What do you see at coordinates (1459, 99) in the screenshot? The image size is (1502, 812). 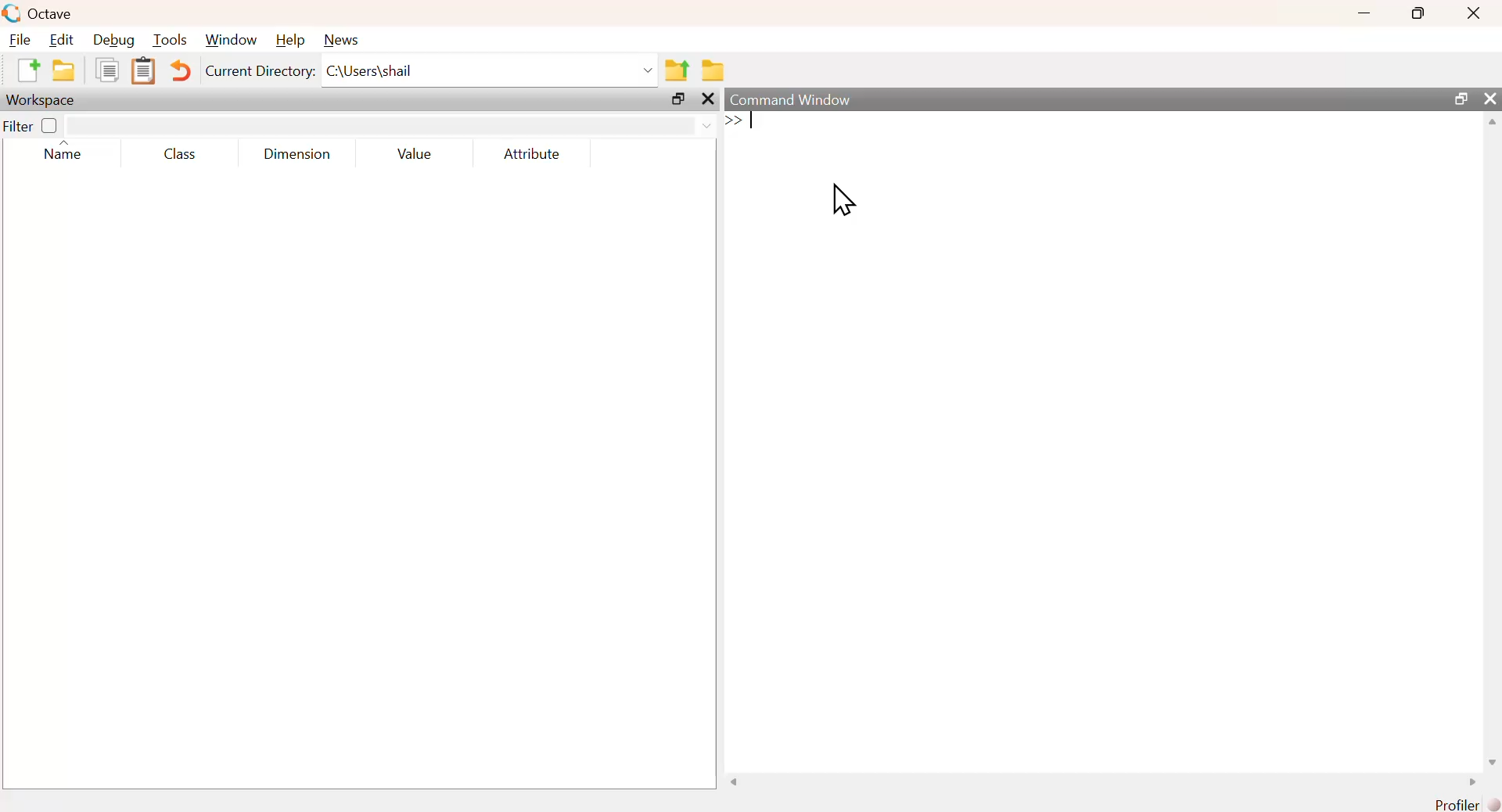 I see `maximize` at bounding box center [1459, 99].